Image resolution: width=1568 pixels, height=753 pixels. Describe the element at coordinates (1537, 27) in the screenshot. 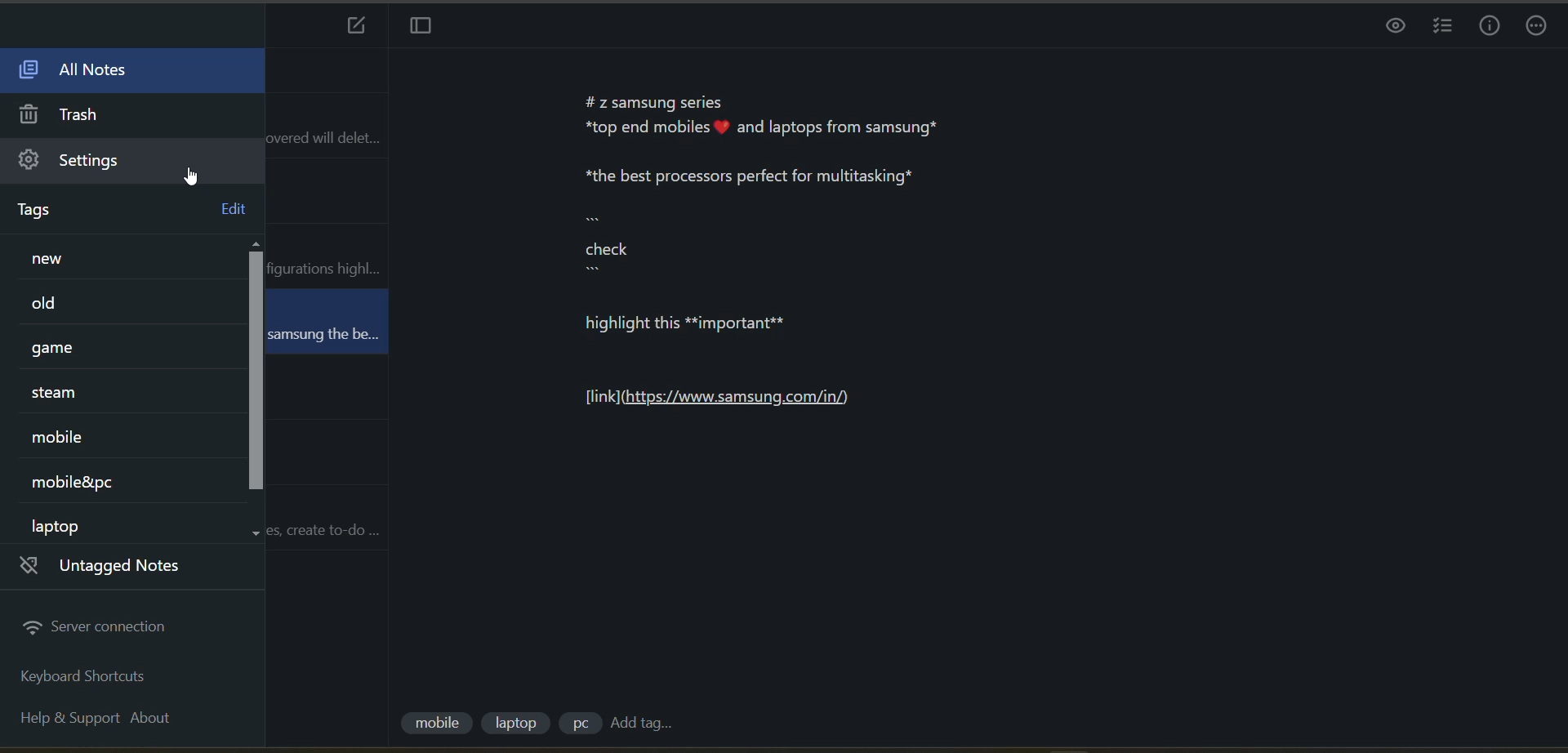

I see `actions` at that location.